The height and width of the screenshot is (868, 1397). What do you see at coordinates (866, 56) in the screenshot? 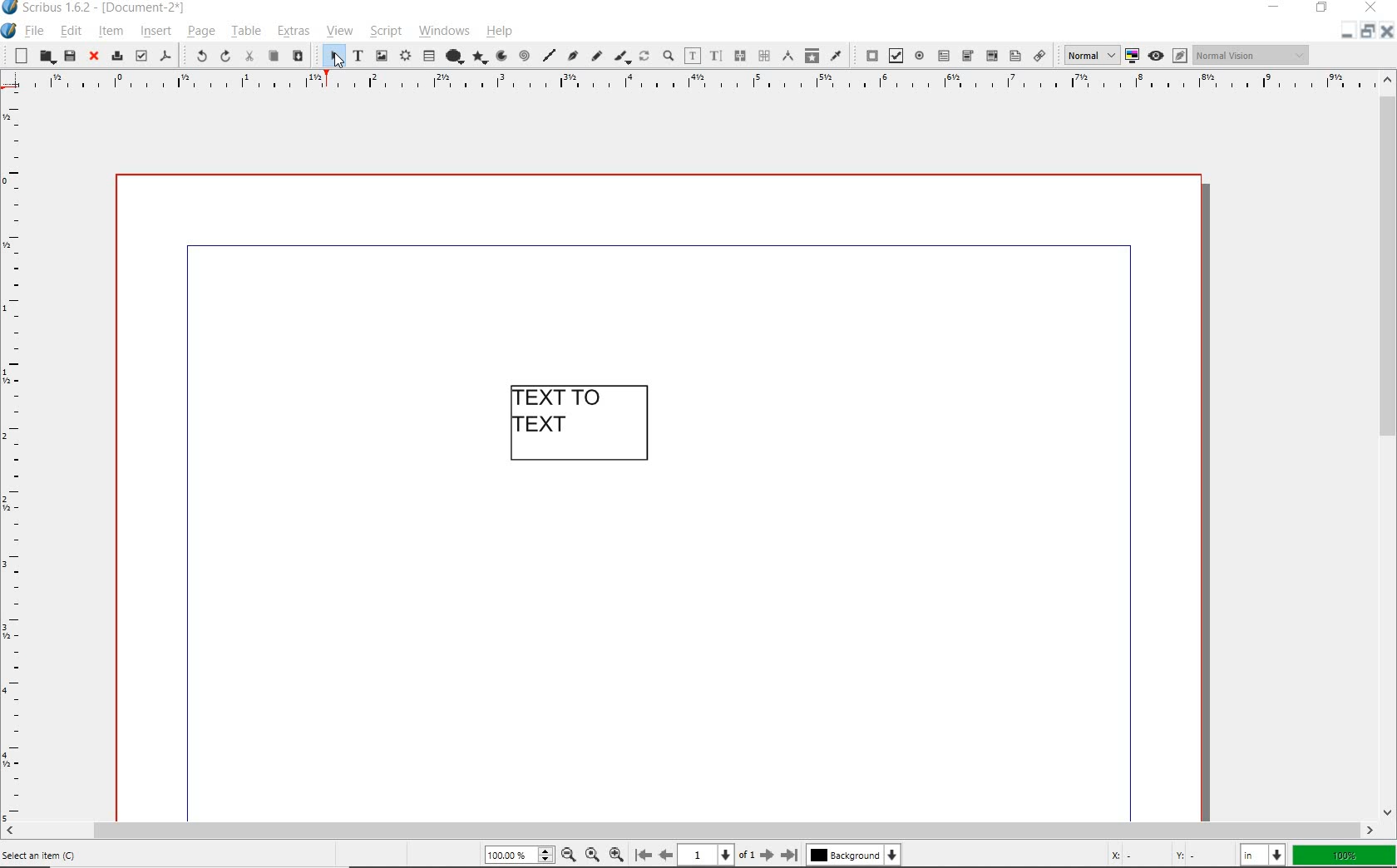
I see `pdf push button` at bounding box center [866, 56].